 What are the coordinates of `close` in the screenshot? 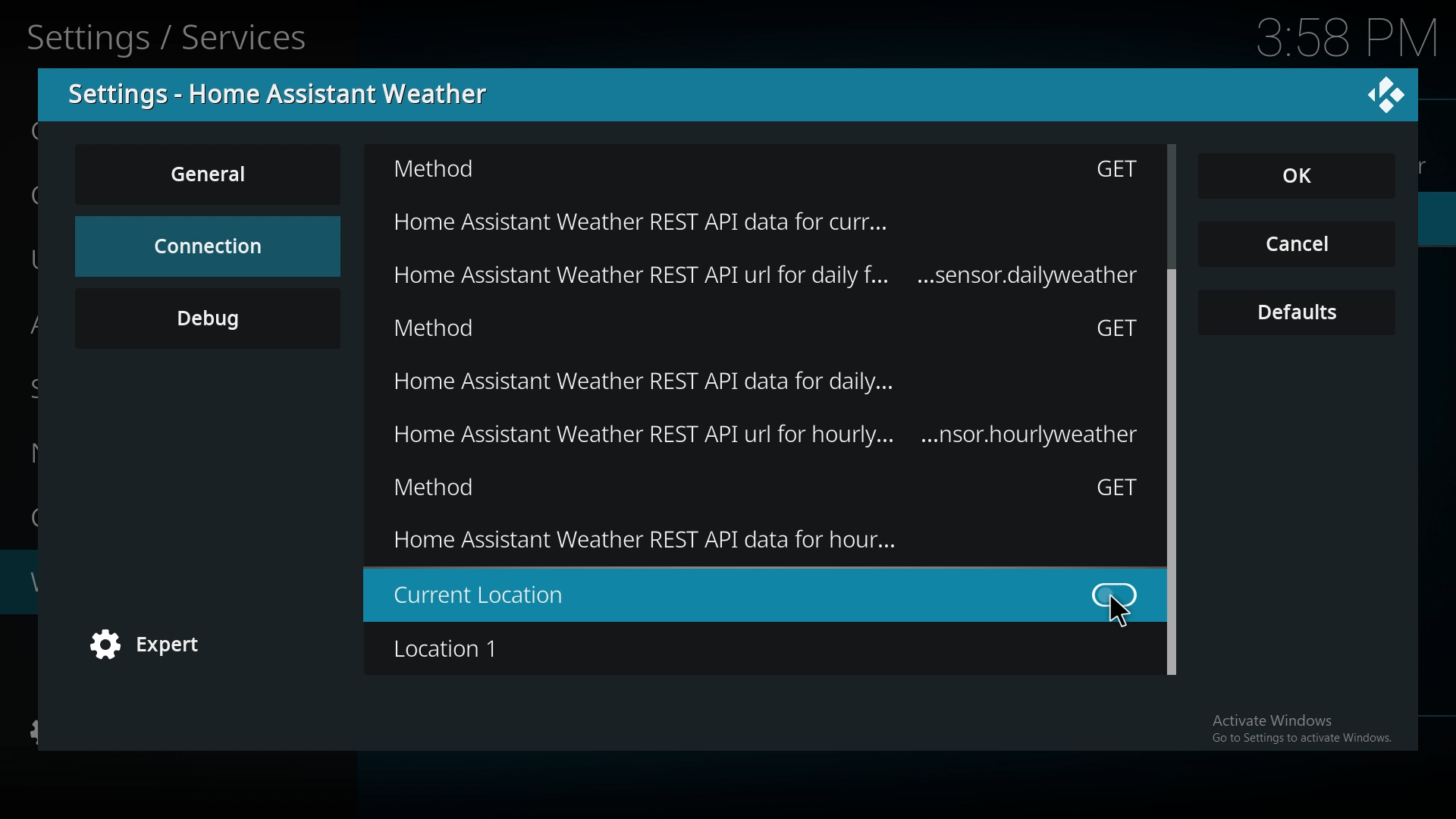 It's located at (1386, 93).